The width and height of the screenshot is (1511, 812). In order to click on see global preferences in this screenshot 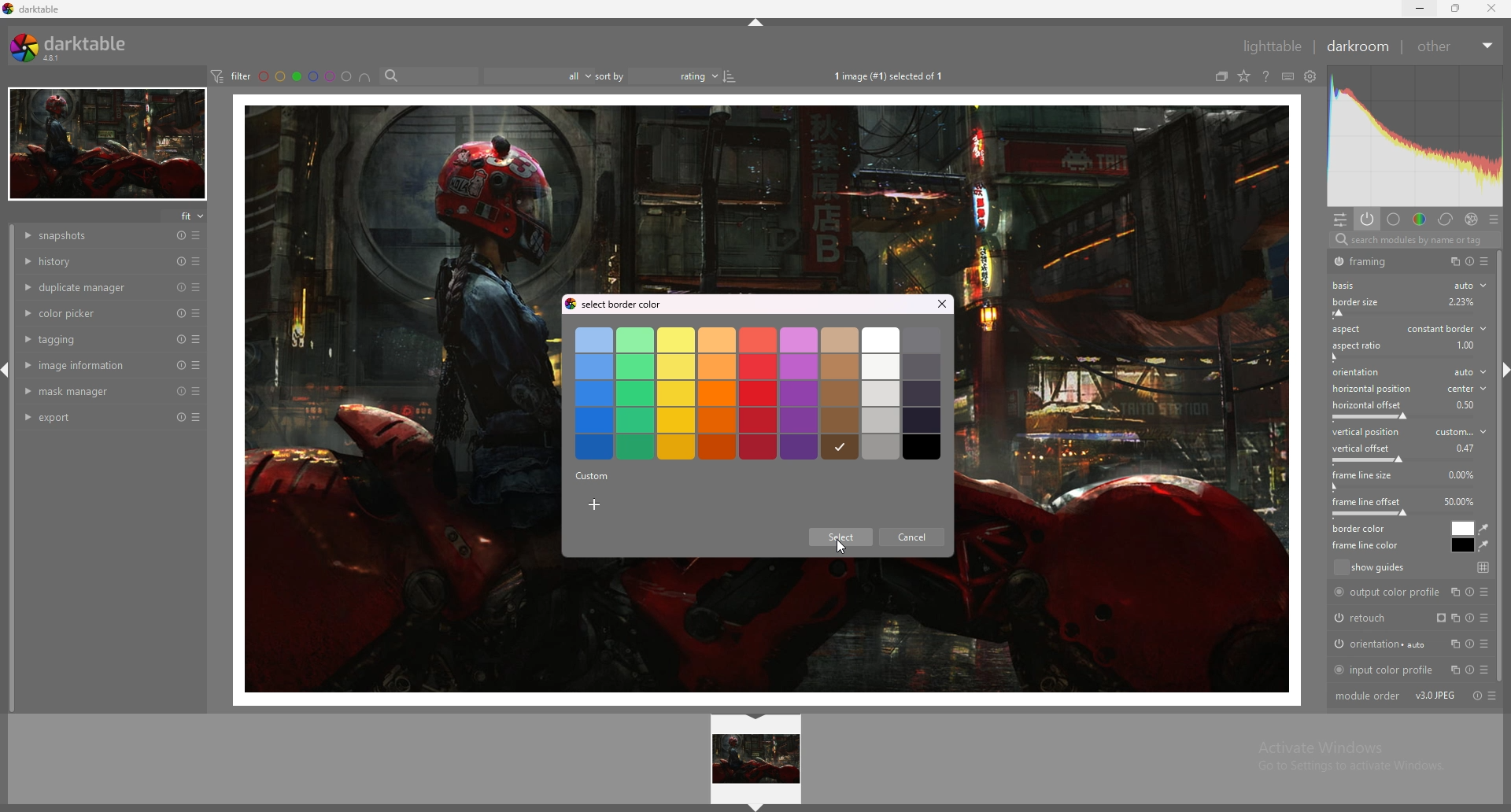, I will do `click(1310, 76)`.